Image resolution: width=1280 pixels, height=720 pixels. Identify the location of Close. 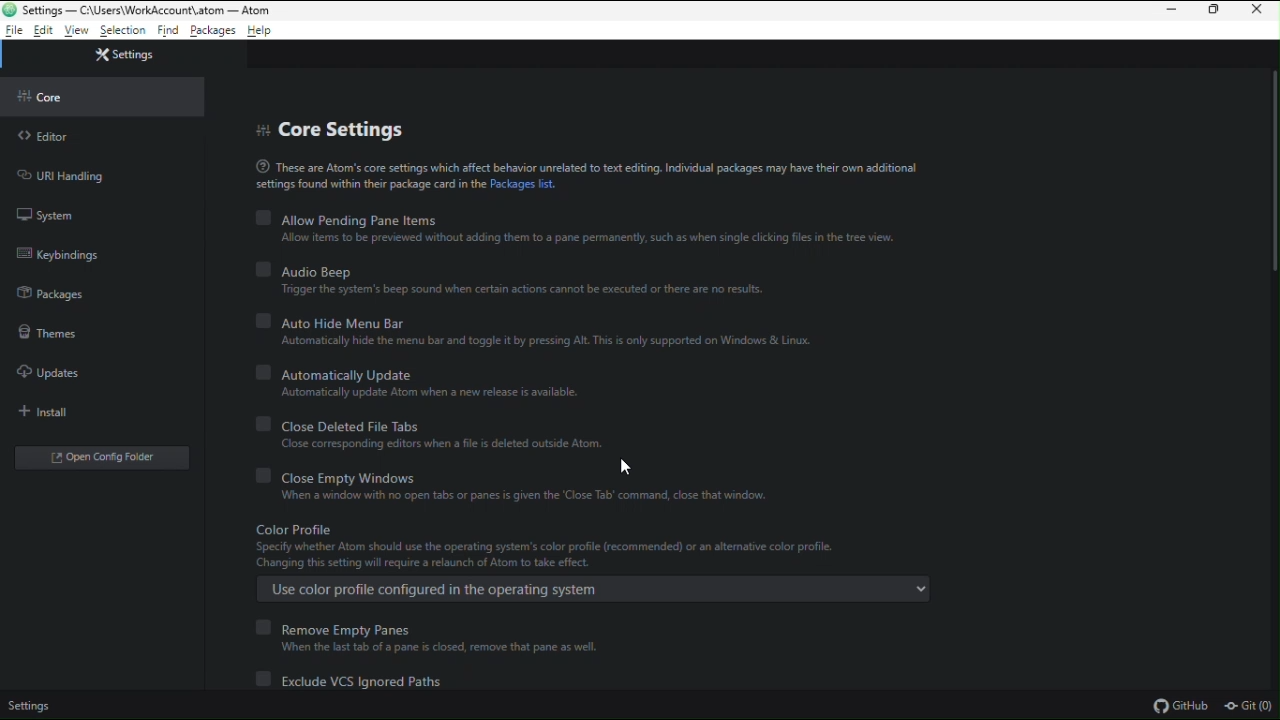
(1261, 12).